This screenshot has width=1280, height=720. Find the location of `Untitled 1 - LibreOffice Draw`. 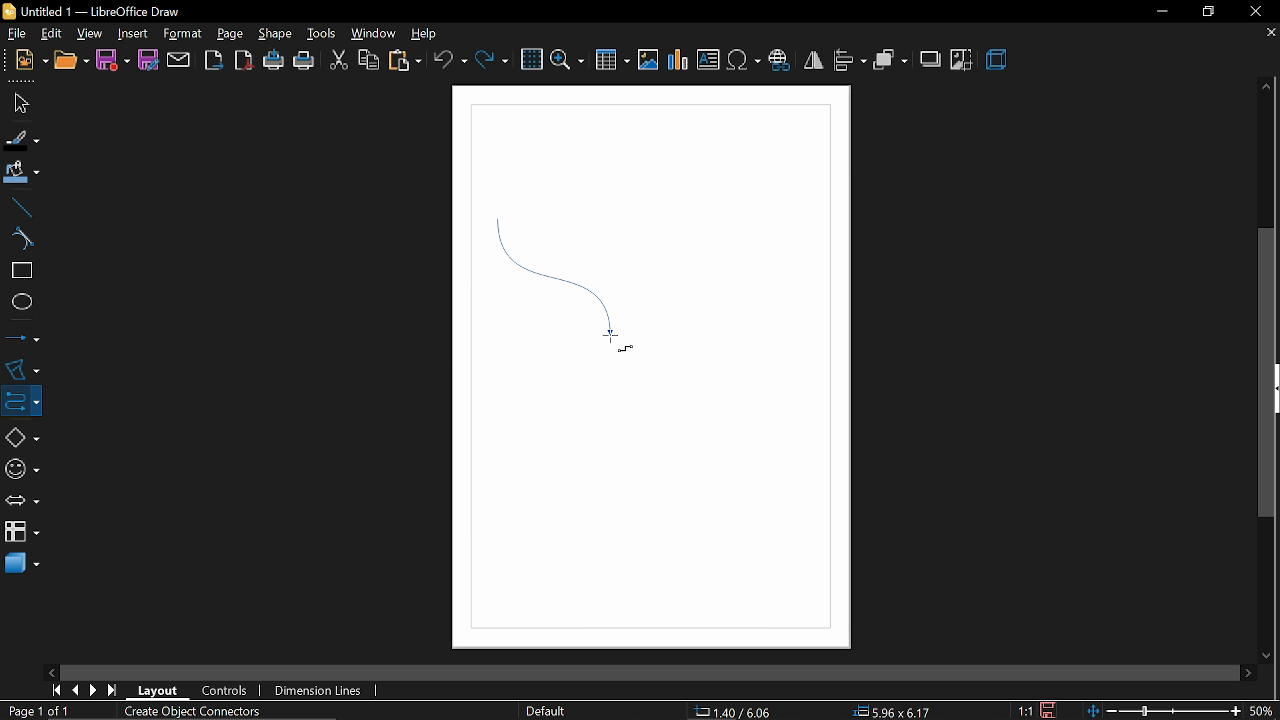

Untitled 1 - LibreOffice Draw is located at coordinates (93, 11).